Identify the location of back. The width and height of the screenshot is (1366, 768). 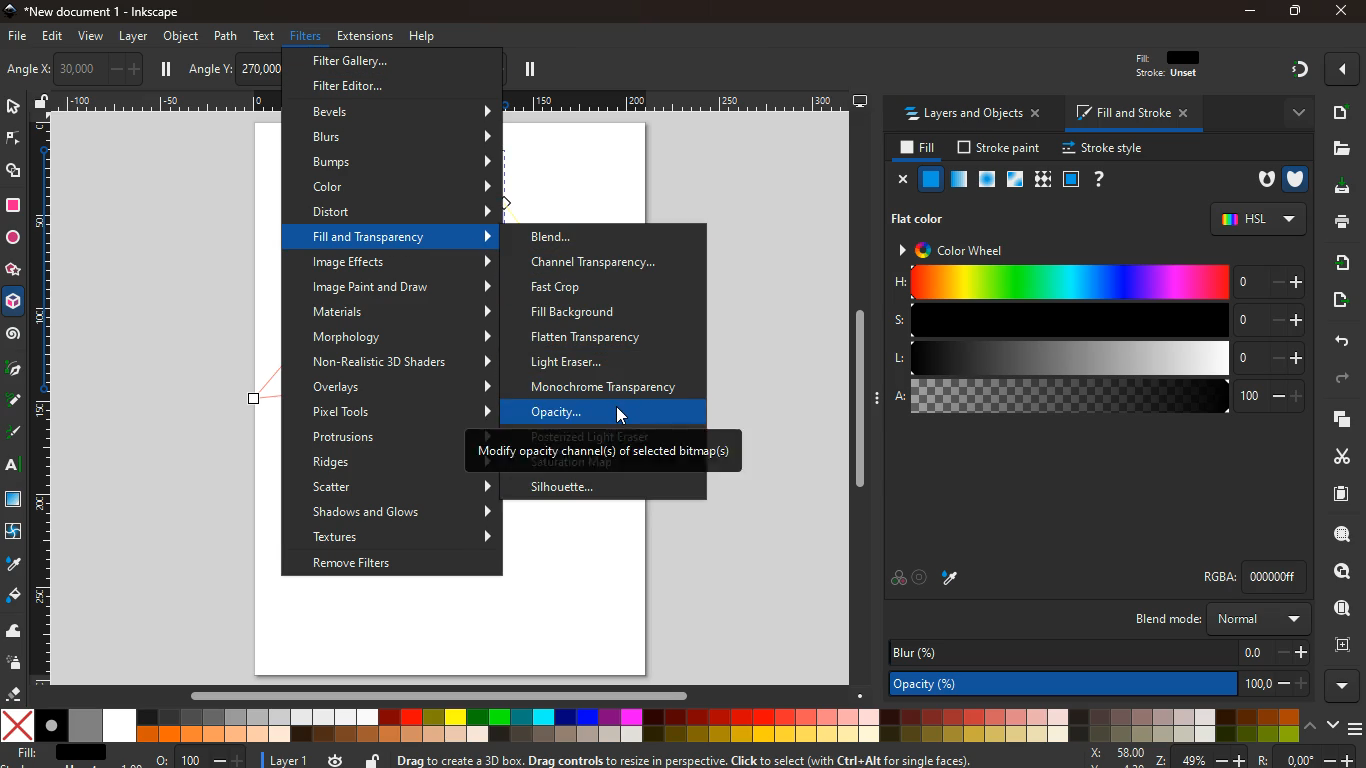
(1340, 340).